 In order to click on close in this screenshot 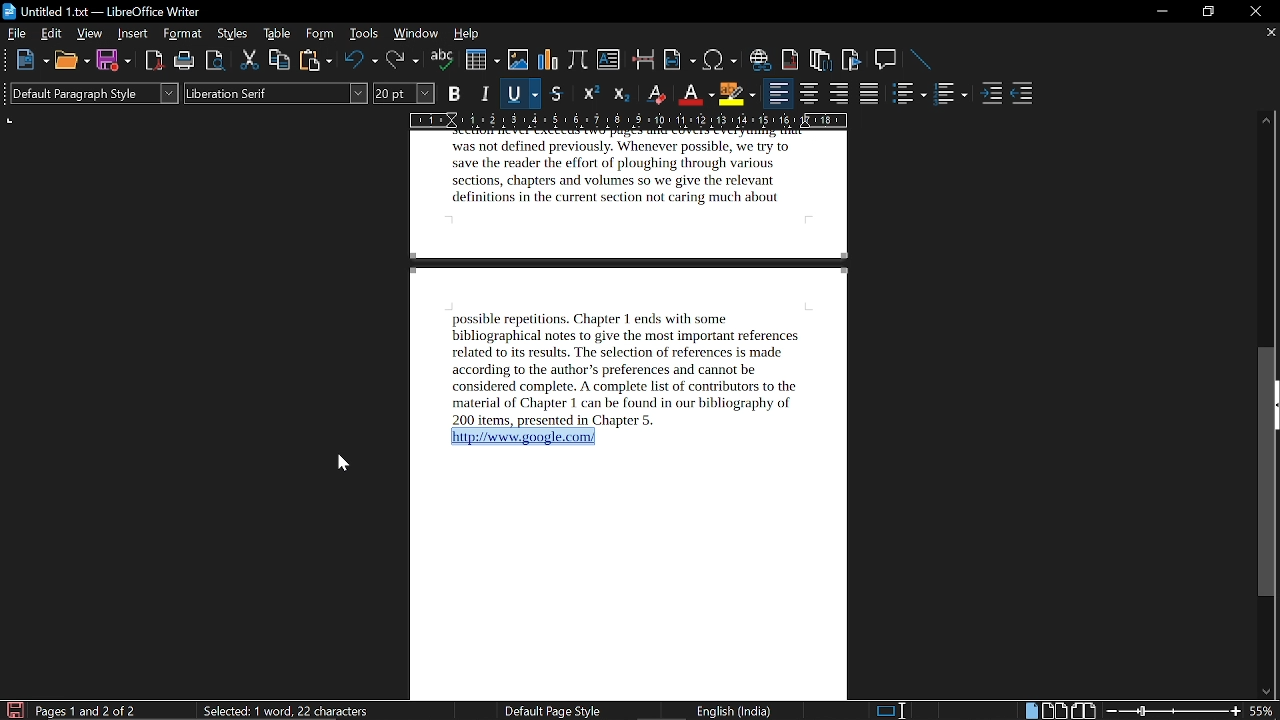, I will do `click(1252, 11)`.